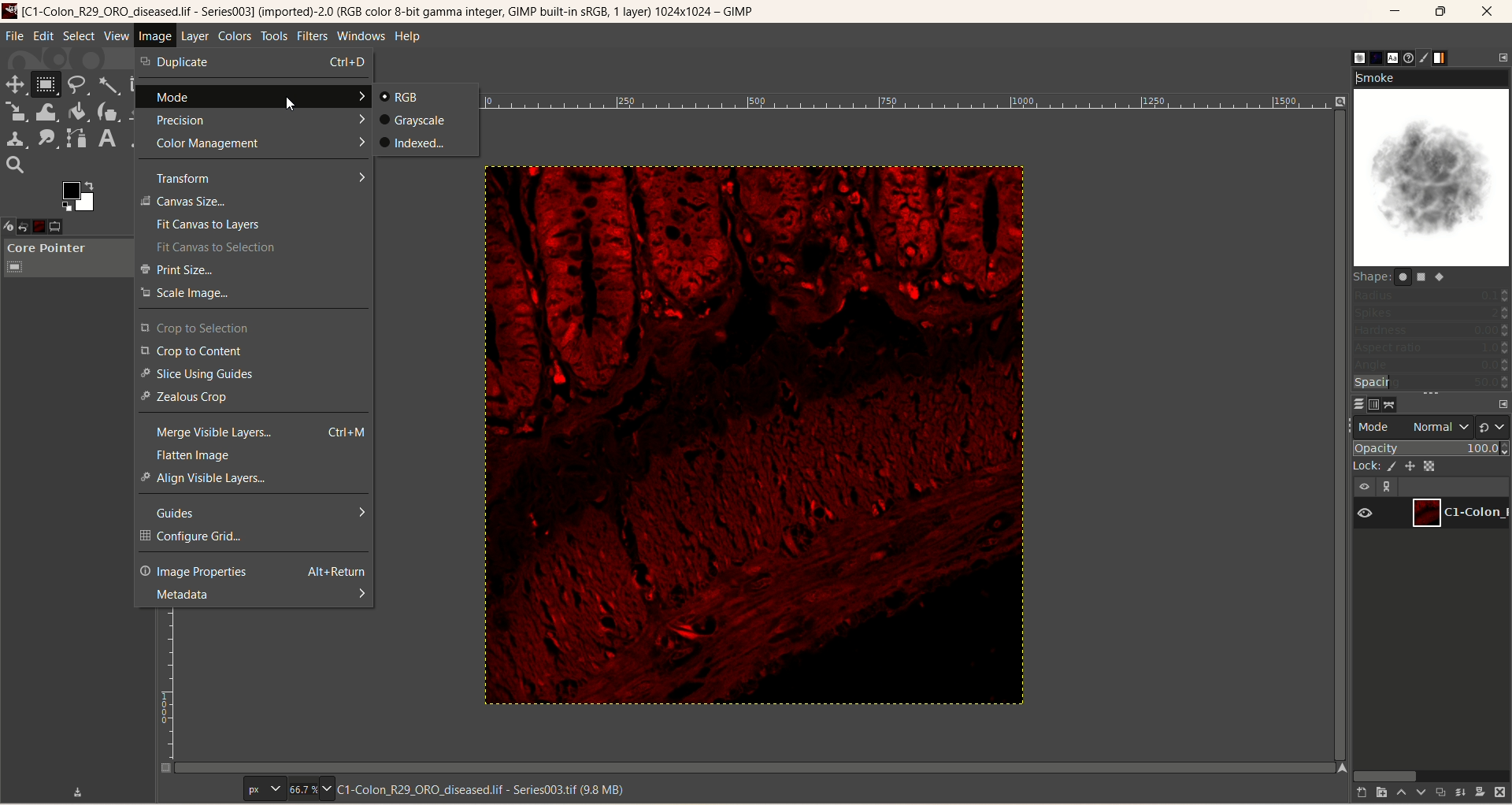  What do you see at coordinates (1362, 794) in the screenshot?
I see `create a new layer with last used values` at bounding box center [1362, 794].